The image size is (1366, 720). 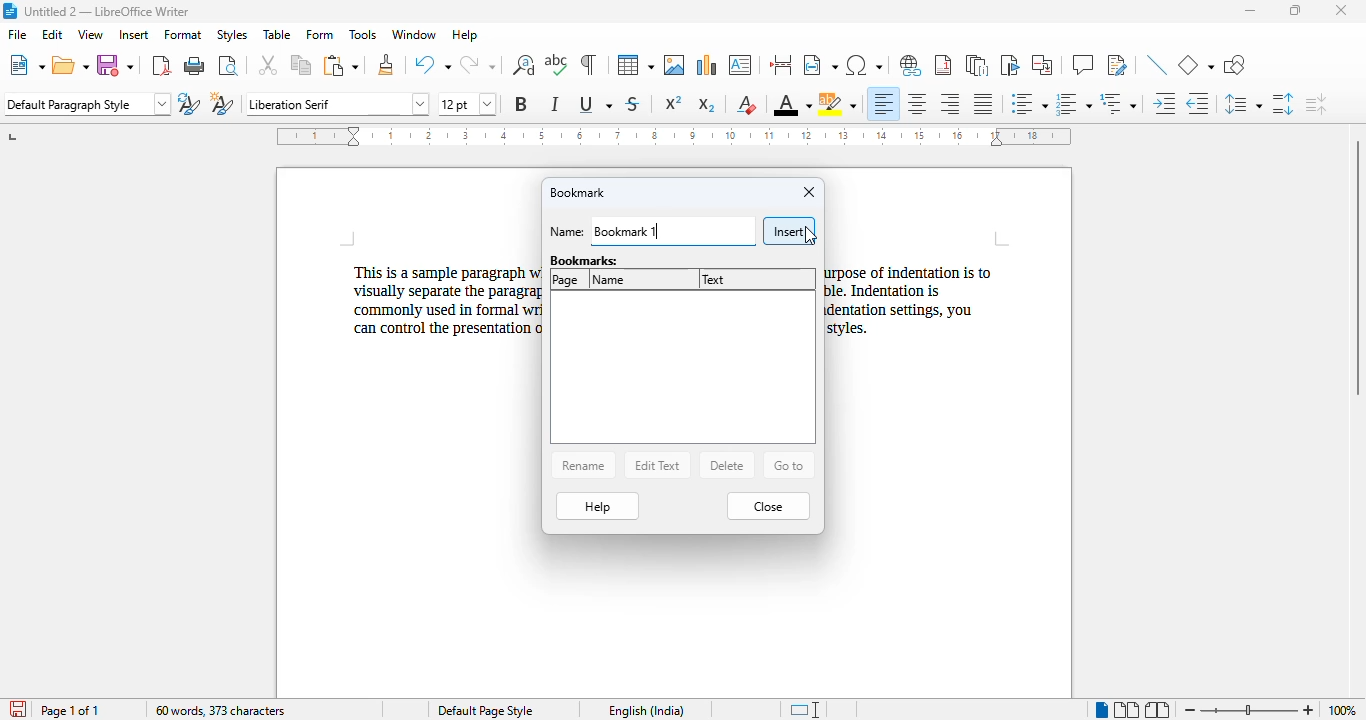 What do you see at coordinates (183, 34) in the screenshot?
I see `format` at bounding box center [183, 34].